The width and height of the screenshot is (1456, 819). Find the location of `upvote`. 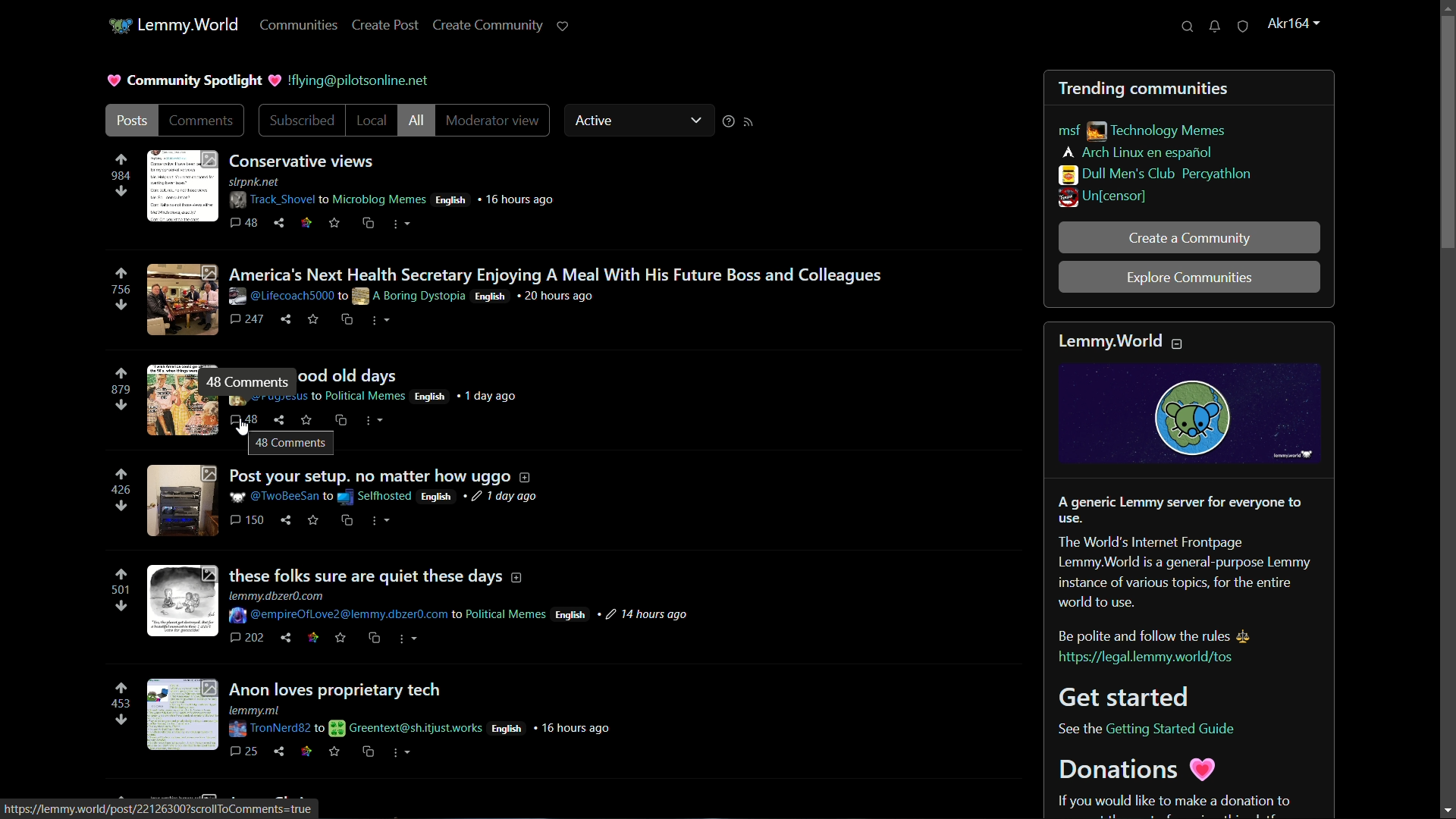

upvote is located at coordinates (121, 161).